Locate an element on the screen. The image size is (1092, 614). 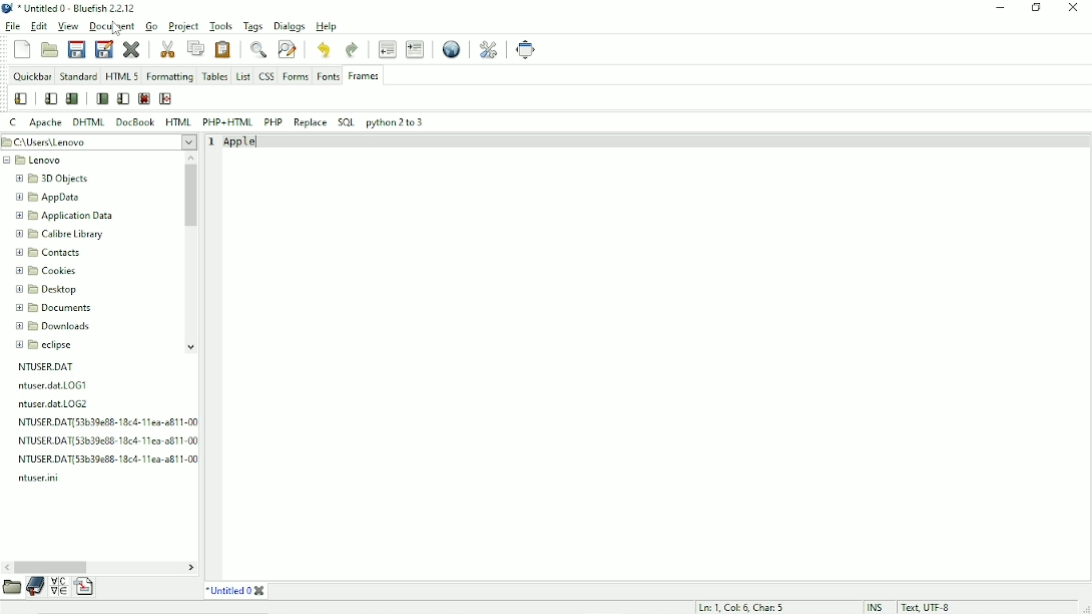
file is located at coordinates (107, 441).